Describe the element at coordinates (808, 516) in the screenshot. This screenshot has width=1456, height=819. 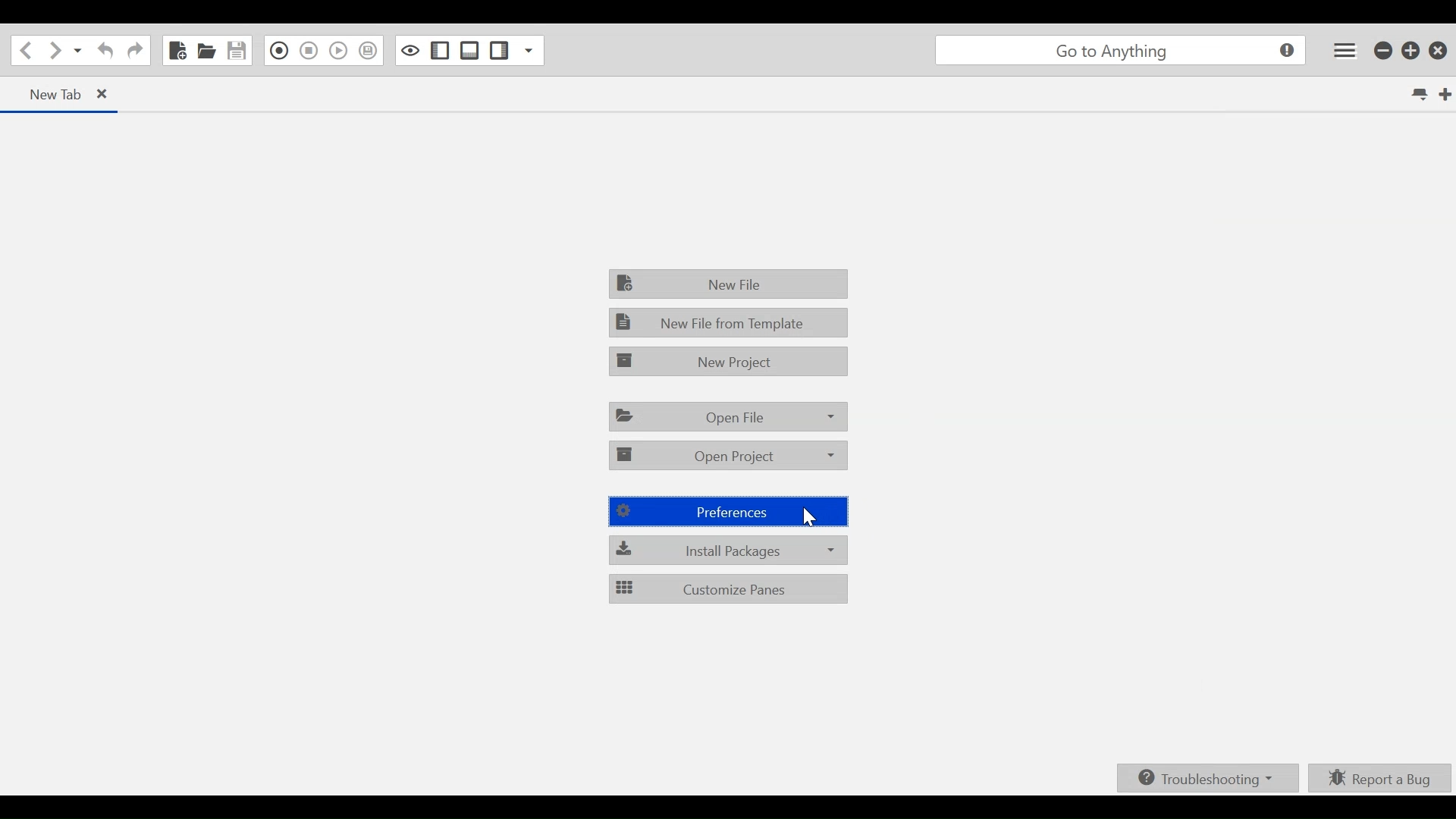
I see `Cursor` at that location.